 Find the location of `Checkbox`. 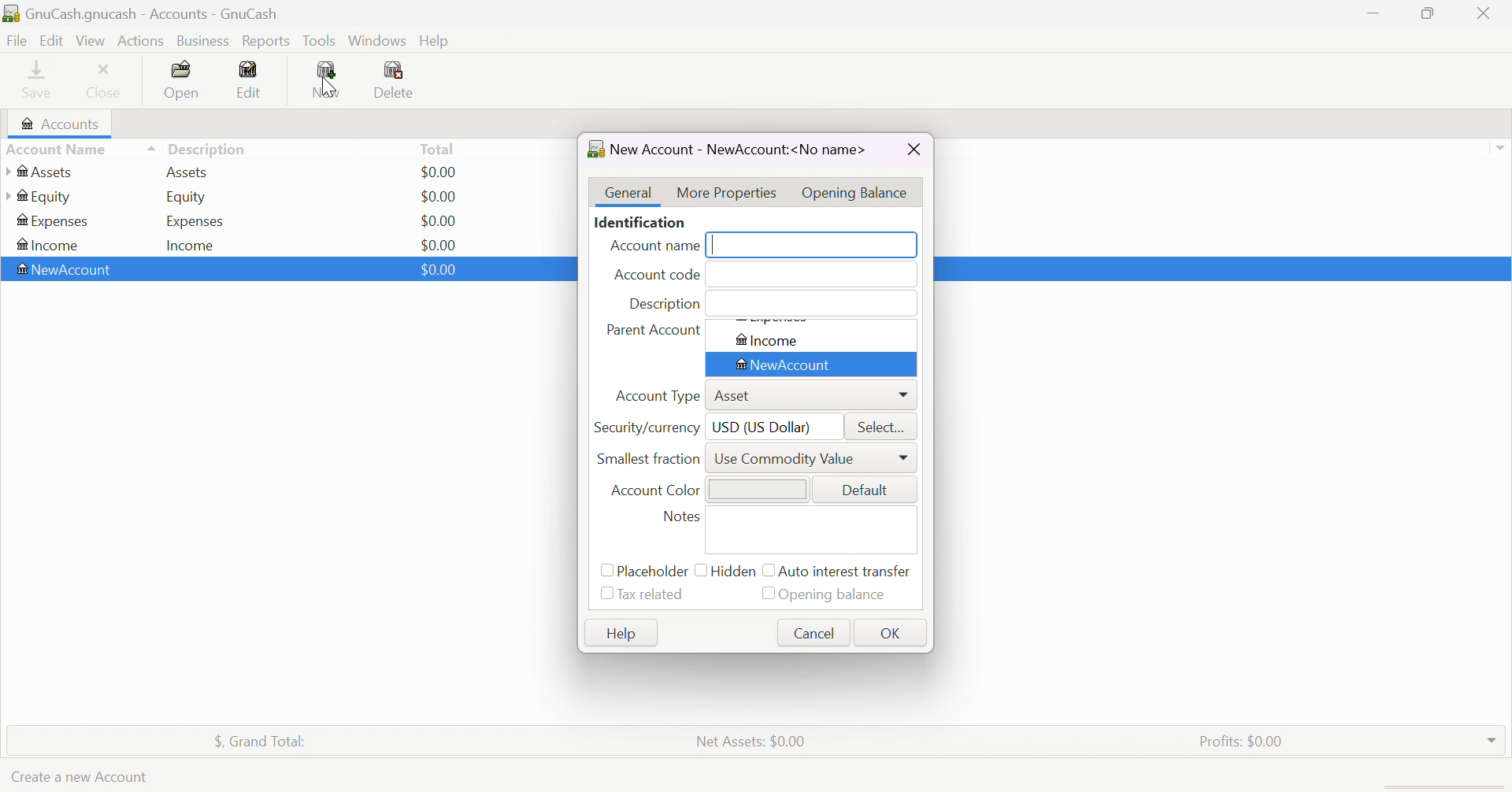

Checkbox is located at coordinates (766, 572).